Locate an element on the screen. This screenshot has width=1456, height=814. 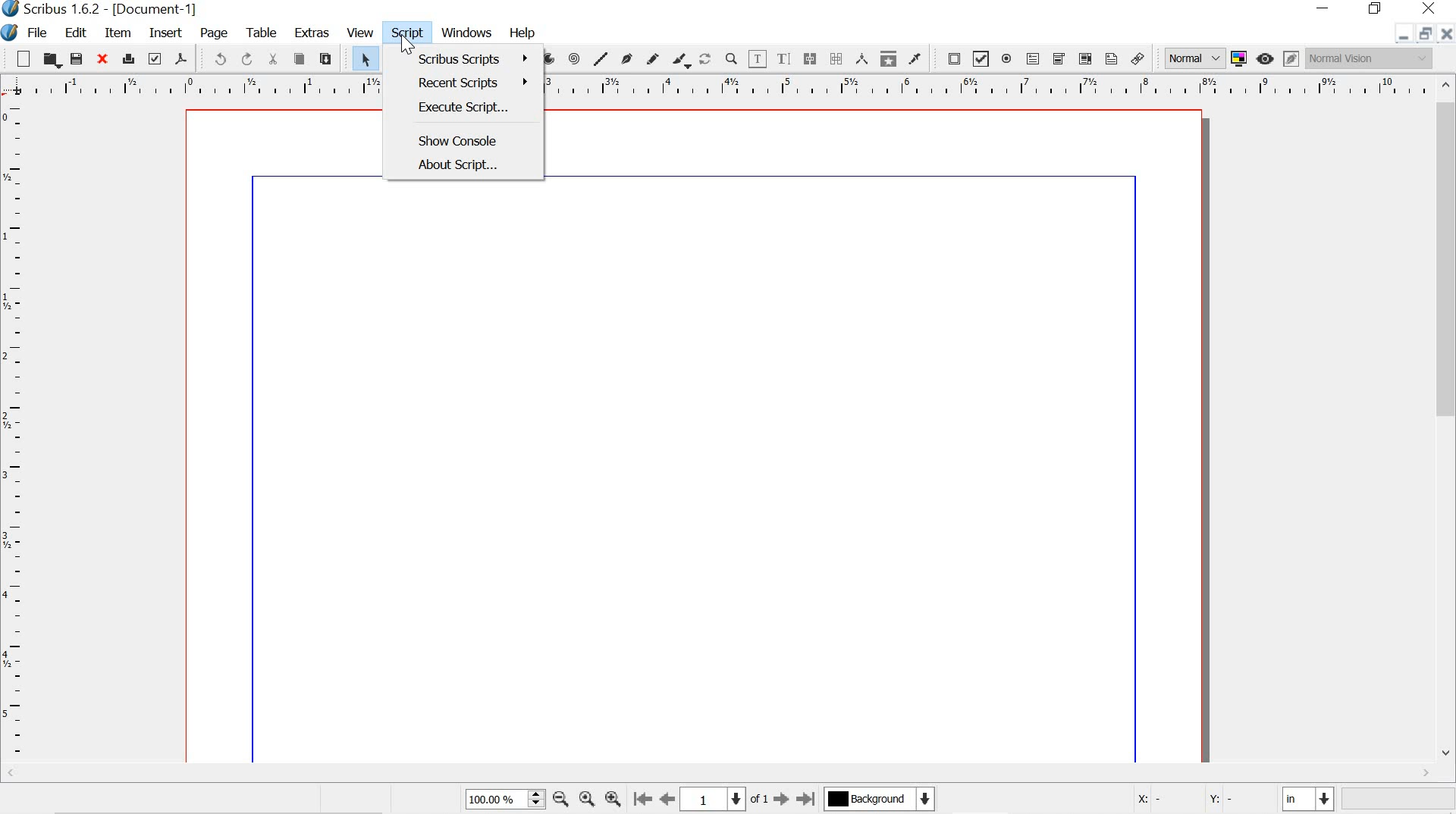
100% is located at coordinates (502, 798).